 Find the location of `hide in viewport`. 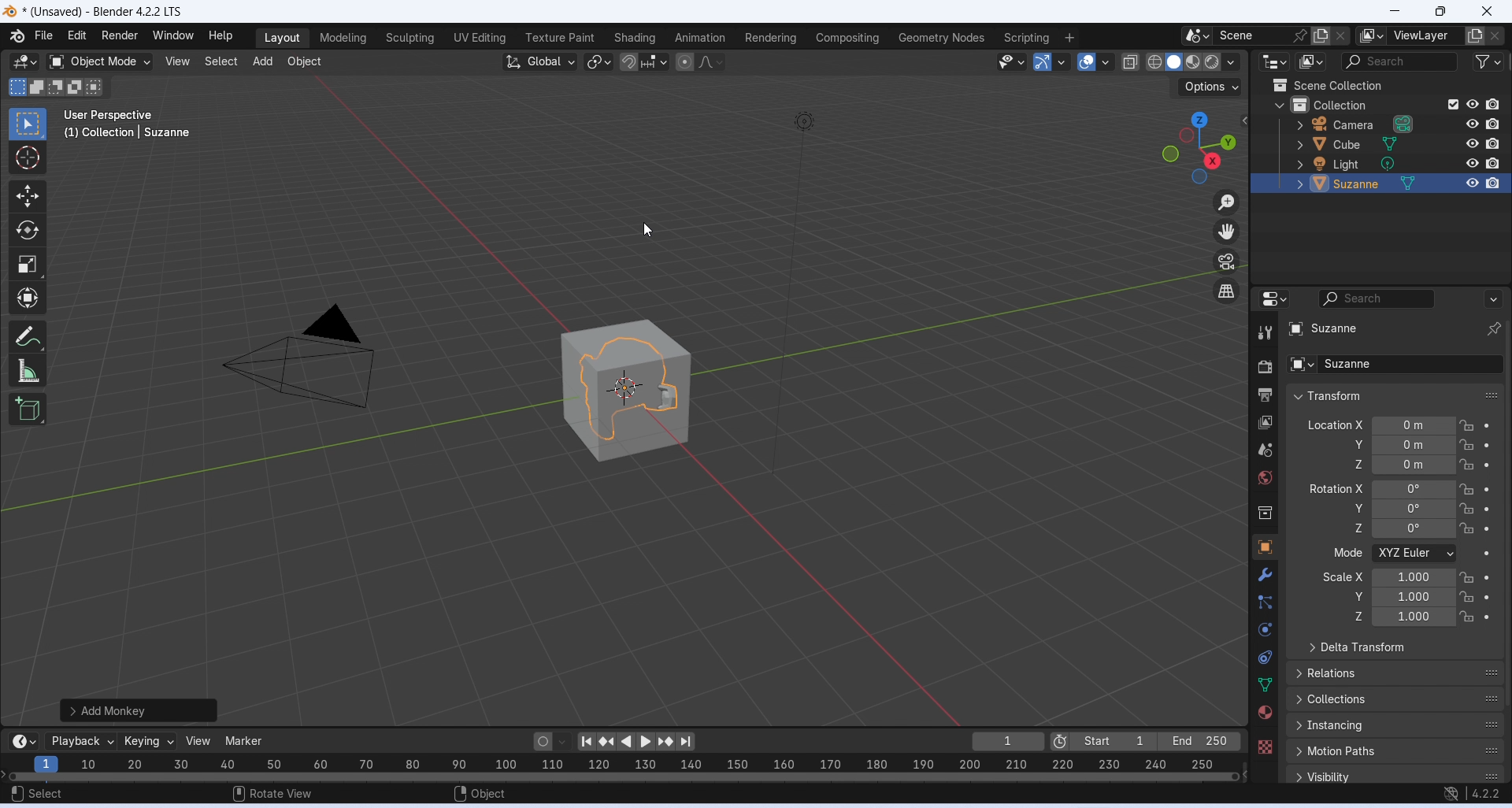

hide in viewport is located at coordinates (1473, 183).